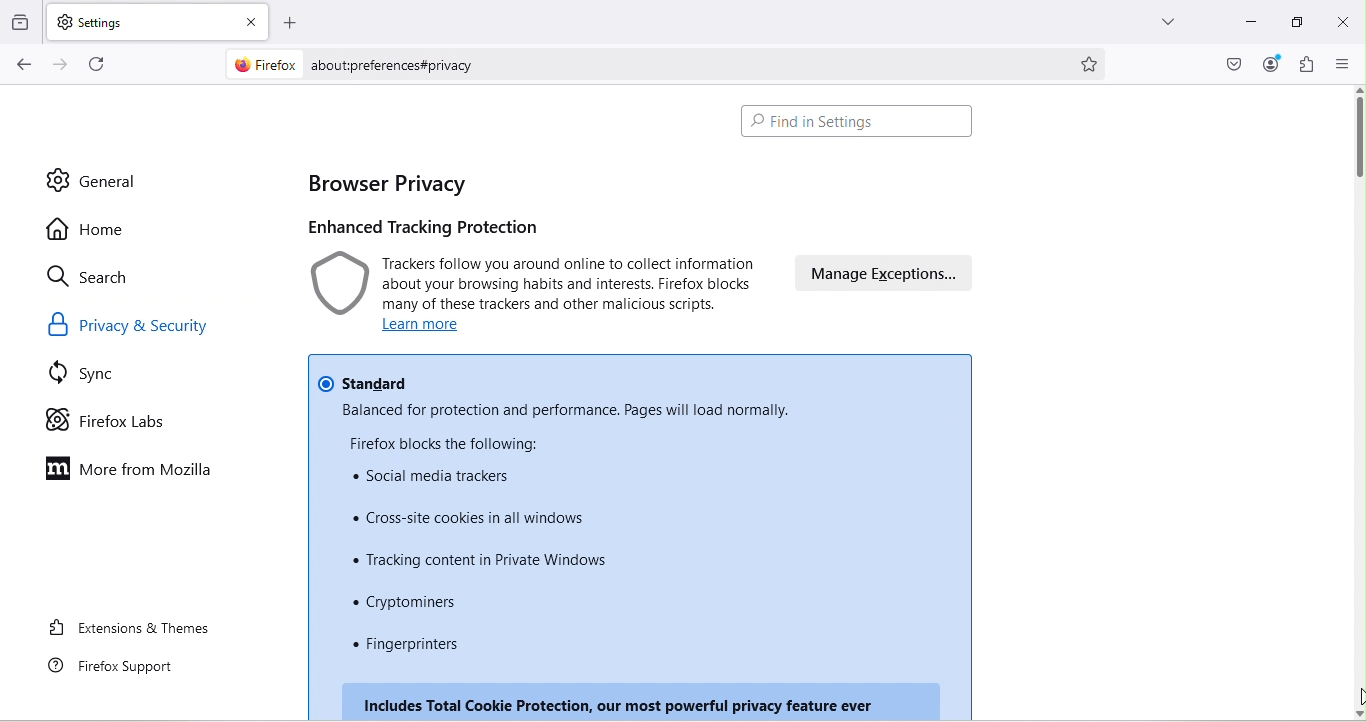  What do you see at coordinates (488, 558) in the screenshot?
I see `« Tracking content in Private Windows` at bounding box center [488, 558].